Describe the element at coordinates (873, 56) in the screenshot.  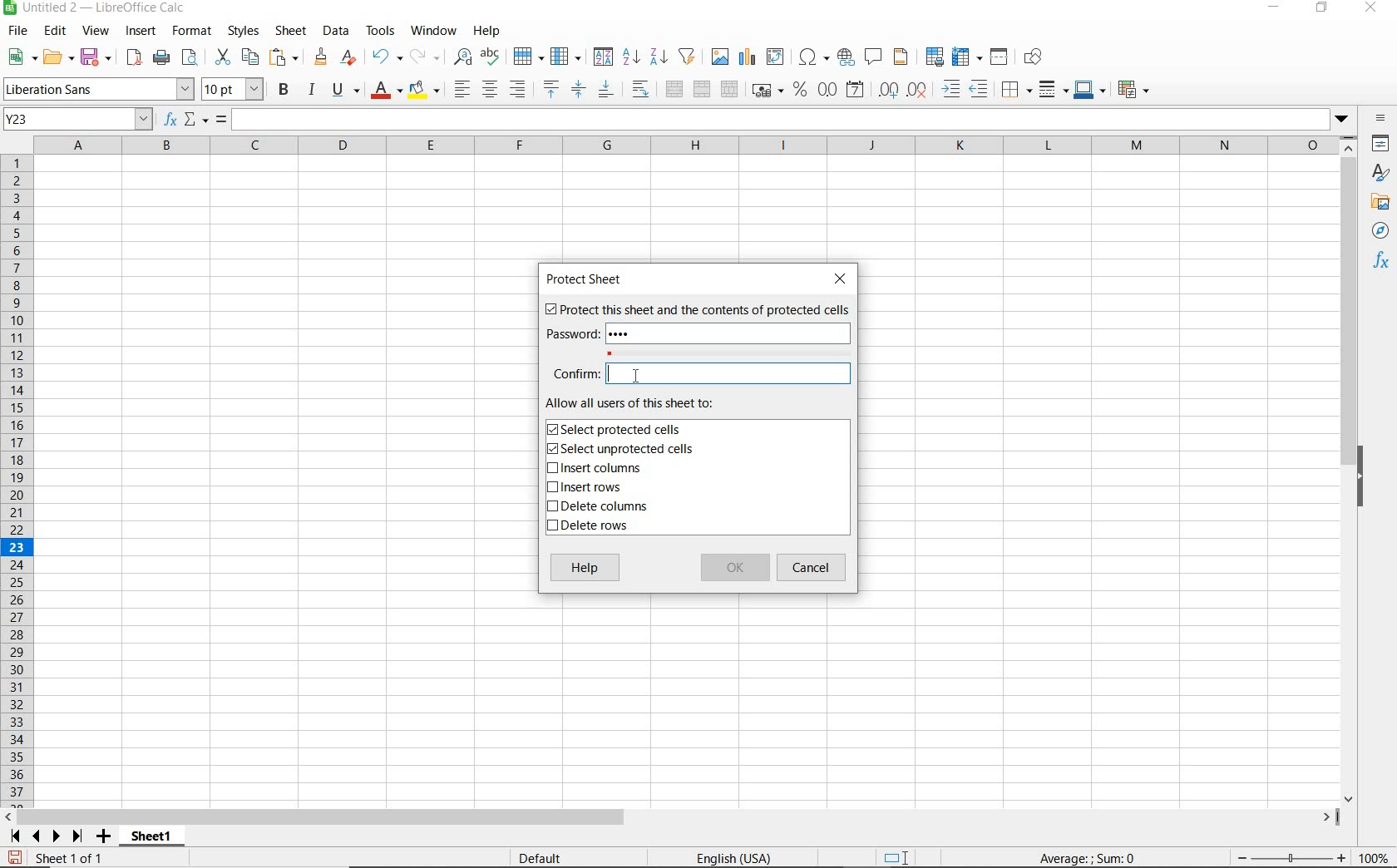
I see `INSERT COMMENT` at that location.